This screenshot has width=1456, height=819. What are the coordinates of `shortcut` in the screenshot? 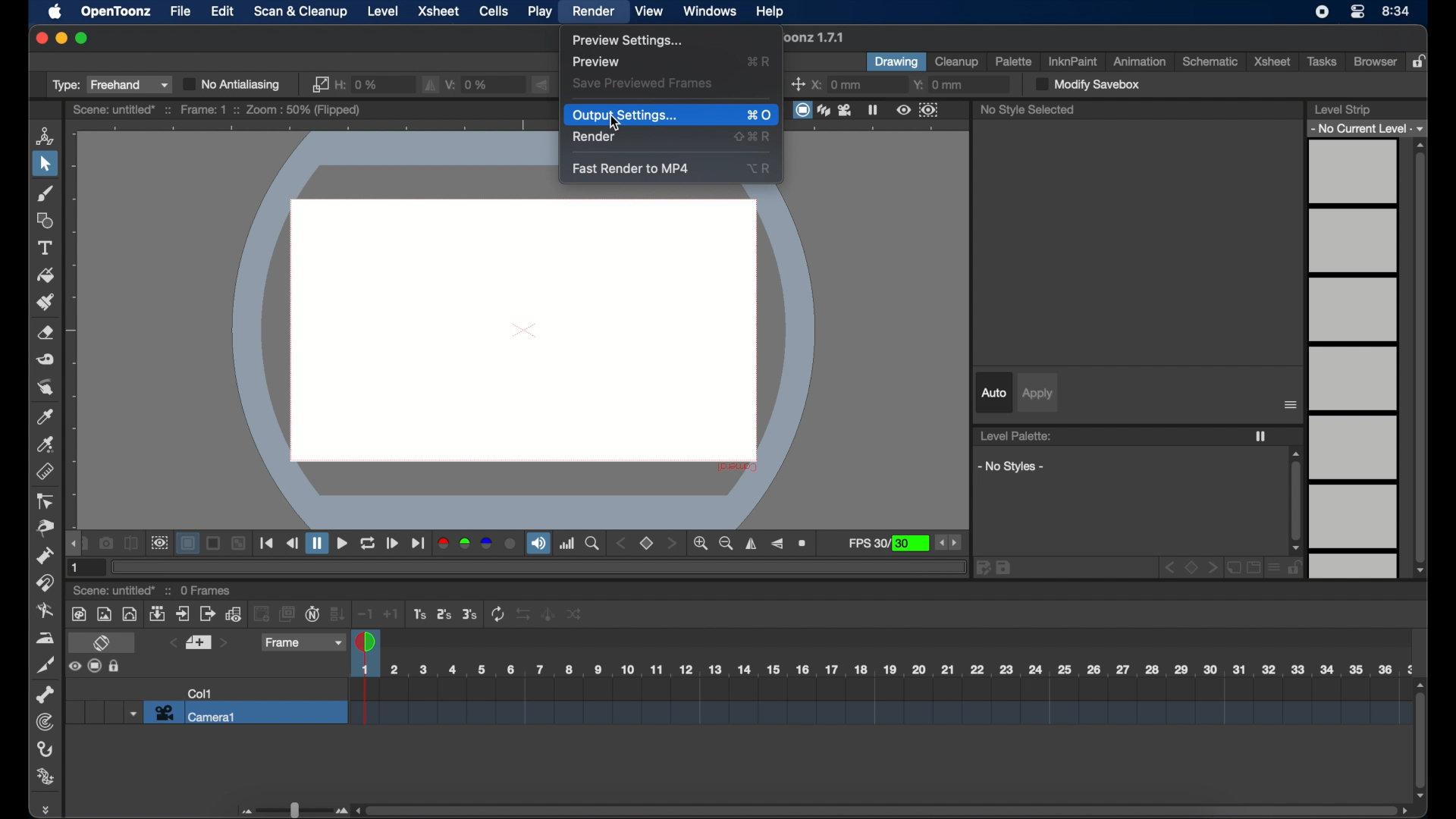 It's located at (758, 168).